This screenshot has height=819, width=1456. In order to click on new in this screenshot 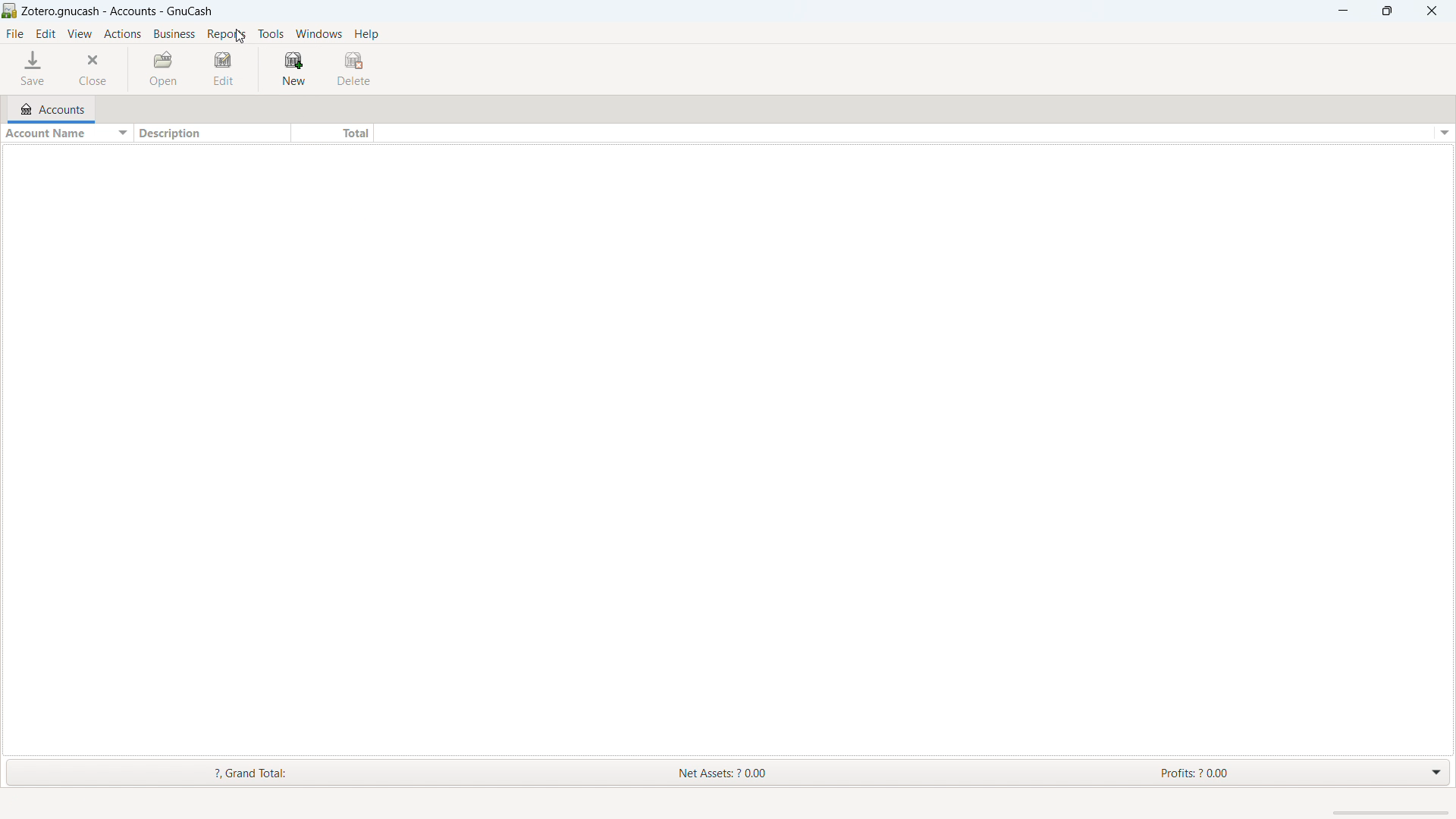, I will do `click(294, 69)`.